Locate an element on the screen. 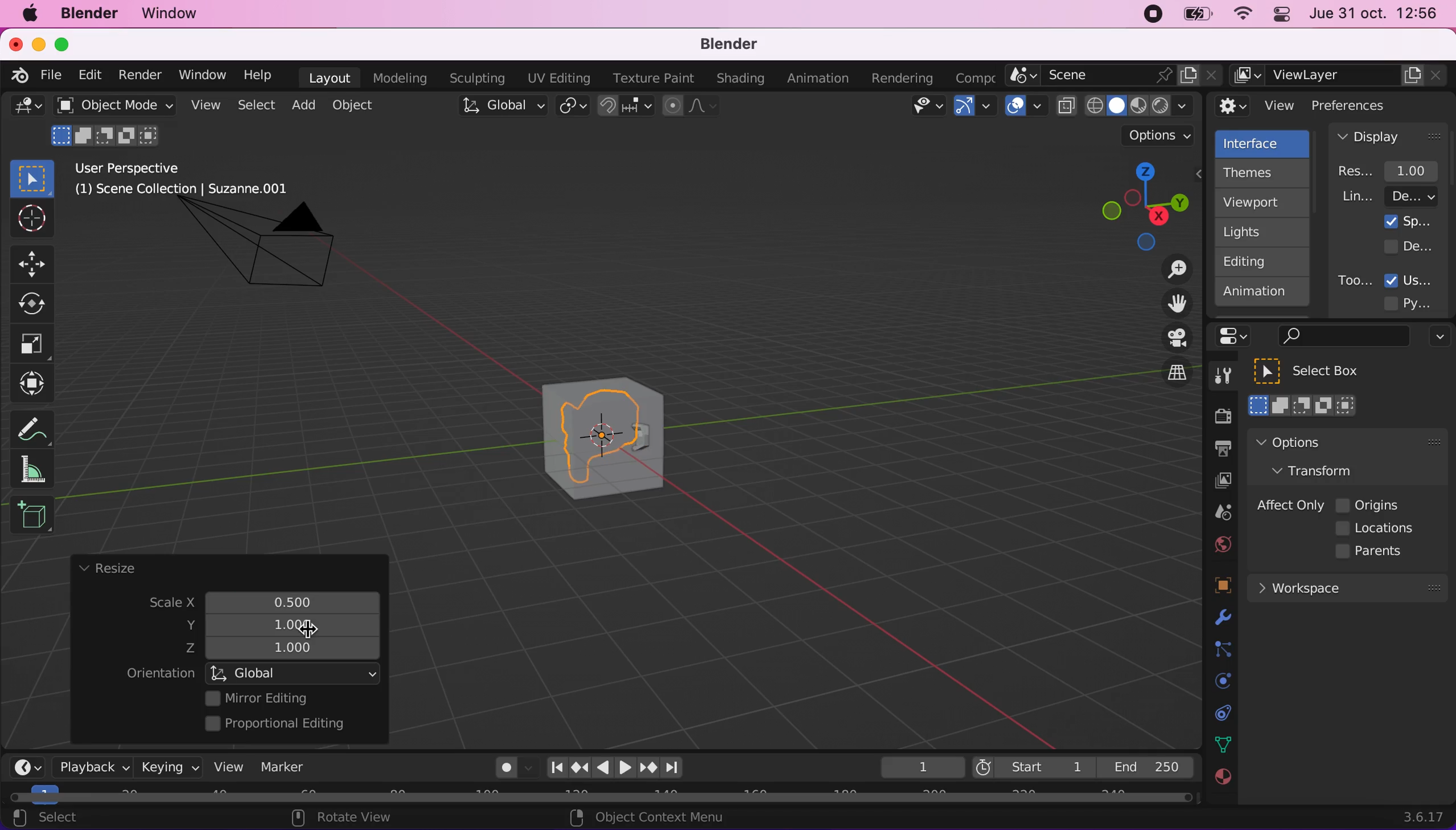  zoom in/out the view is located at coordinates (1171, 269).